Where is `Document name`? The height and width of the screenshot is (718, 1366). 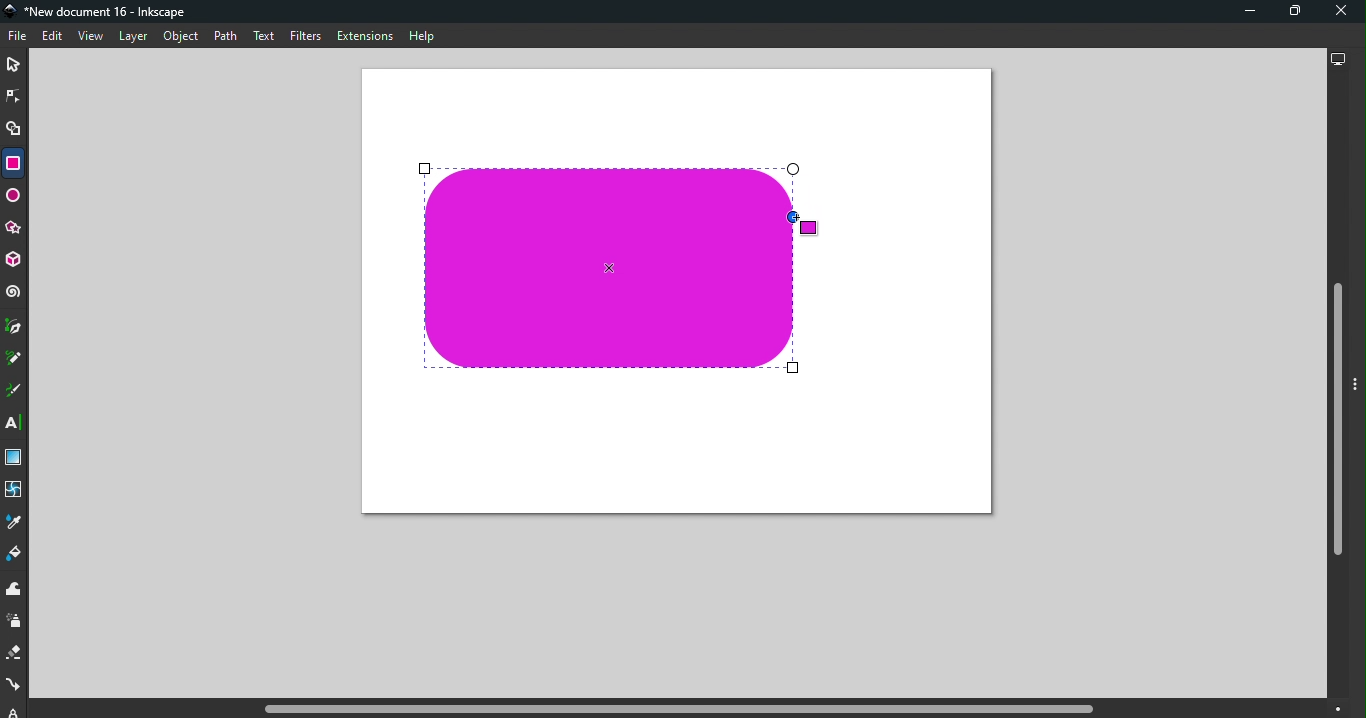 Document name is located at coordinates (100, 12).